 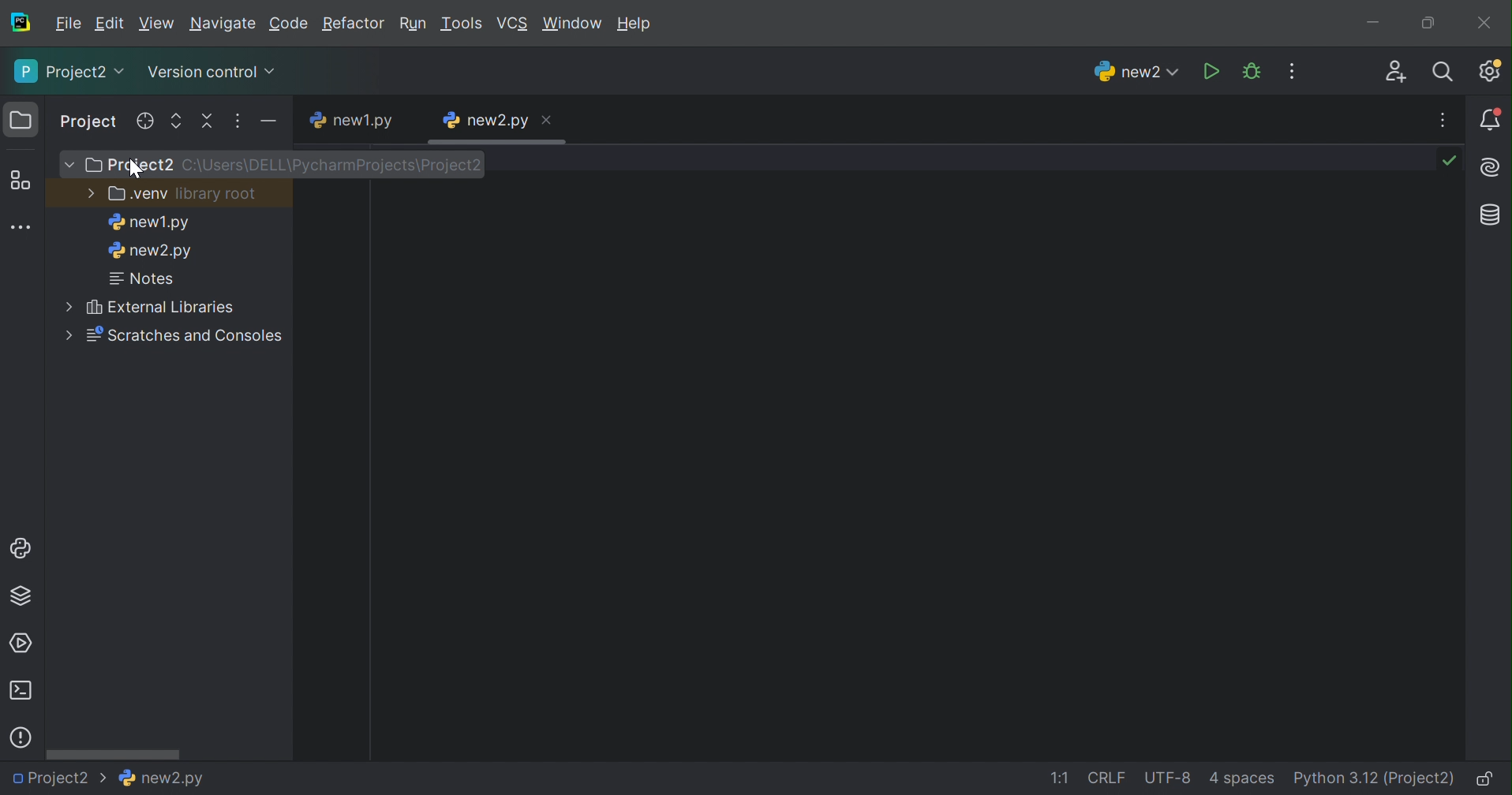 What do you see at coordinates (20, 691) in the screenshot?
I see `Terminal` at bounding box center [20, 691].